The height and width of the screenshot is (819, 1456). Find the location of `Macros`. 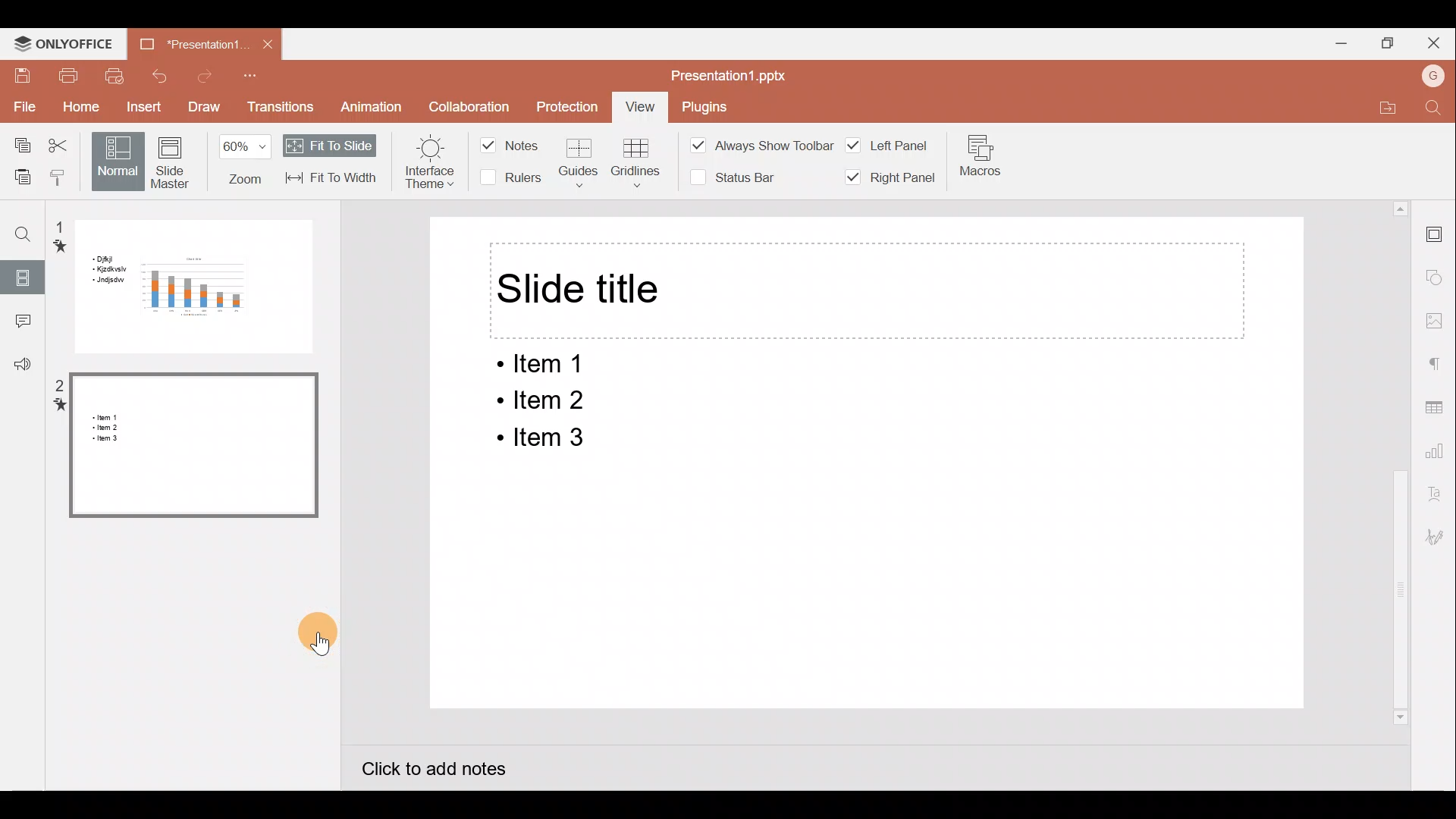

Macros is located at coordinates (980, 161).